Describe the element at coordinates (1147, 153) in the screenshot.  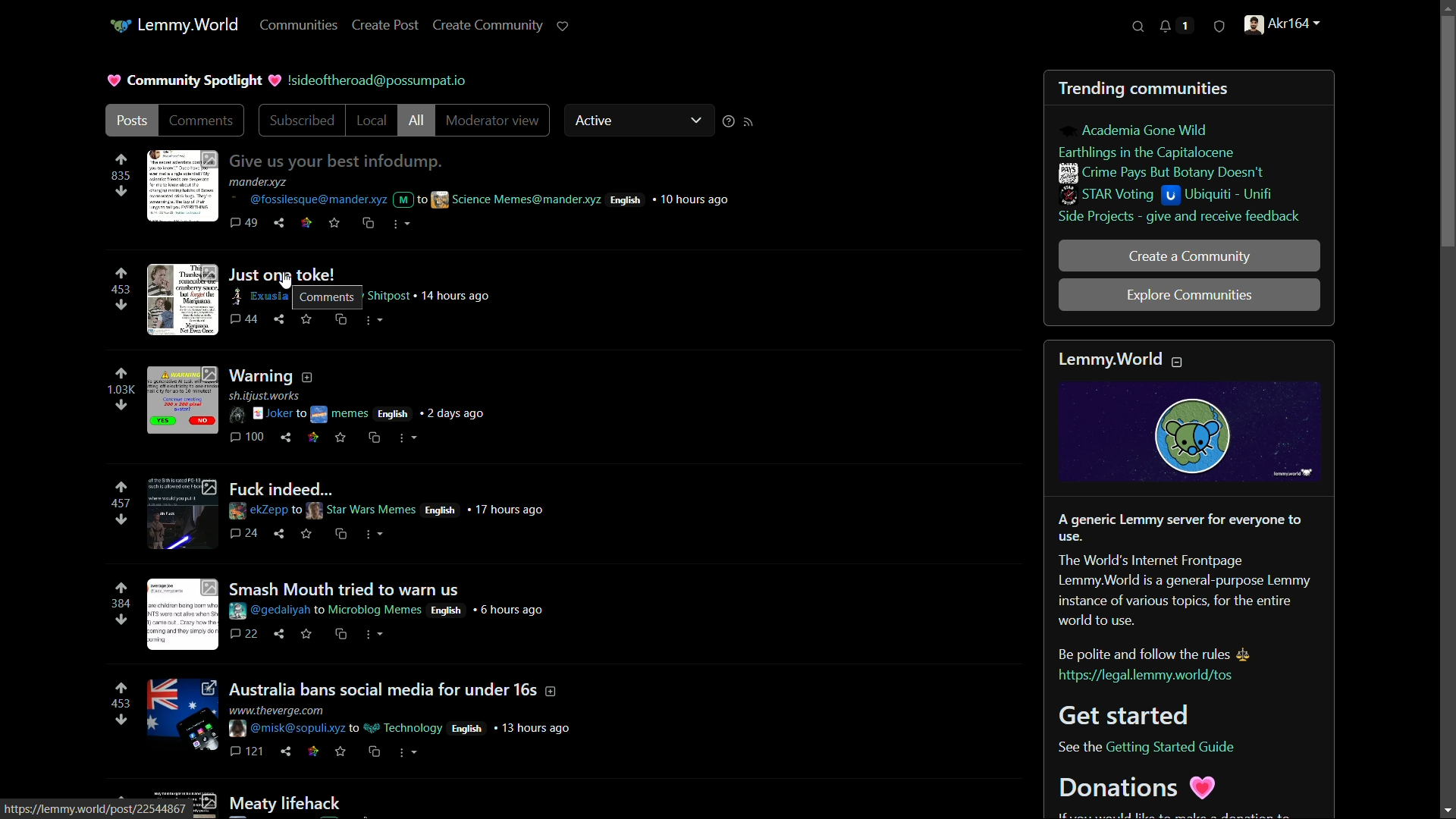
I see `Earthlings in the capitalocene` at that location.